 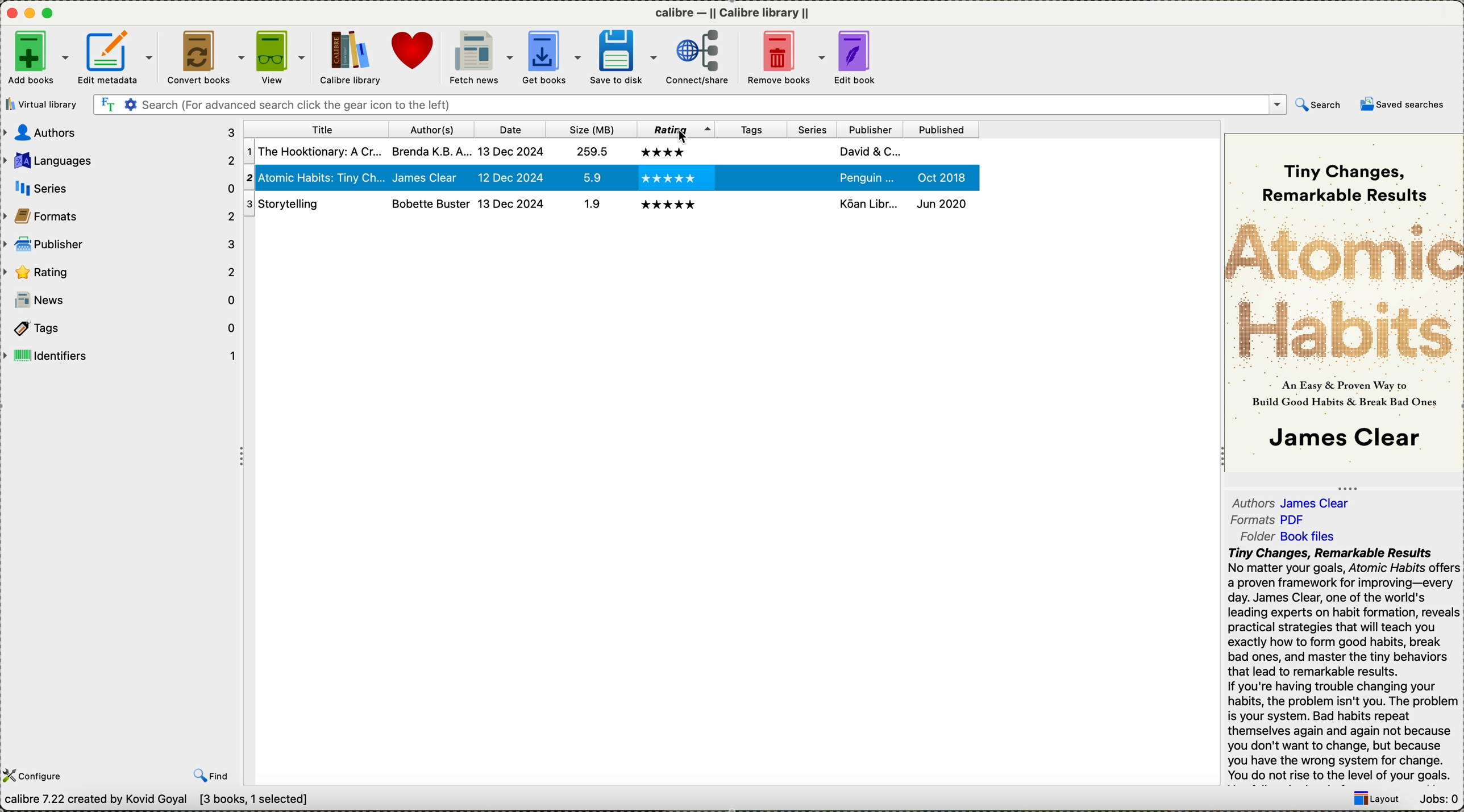 What do you see at coordinates (120, 215) in the screenshot?
I see `formats` at bounding box center [120, 215].